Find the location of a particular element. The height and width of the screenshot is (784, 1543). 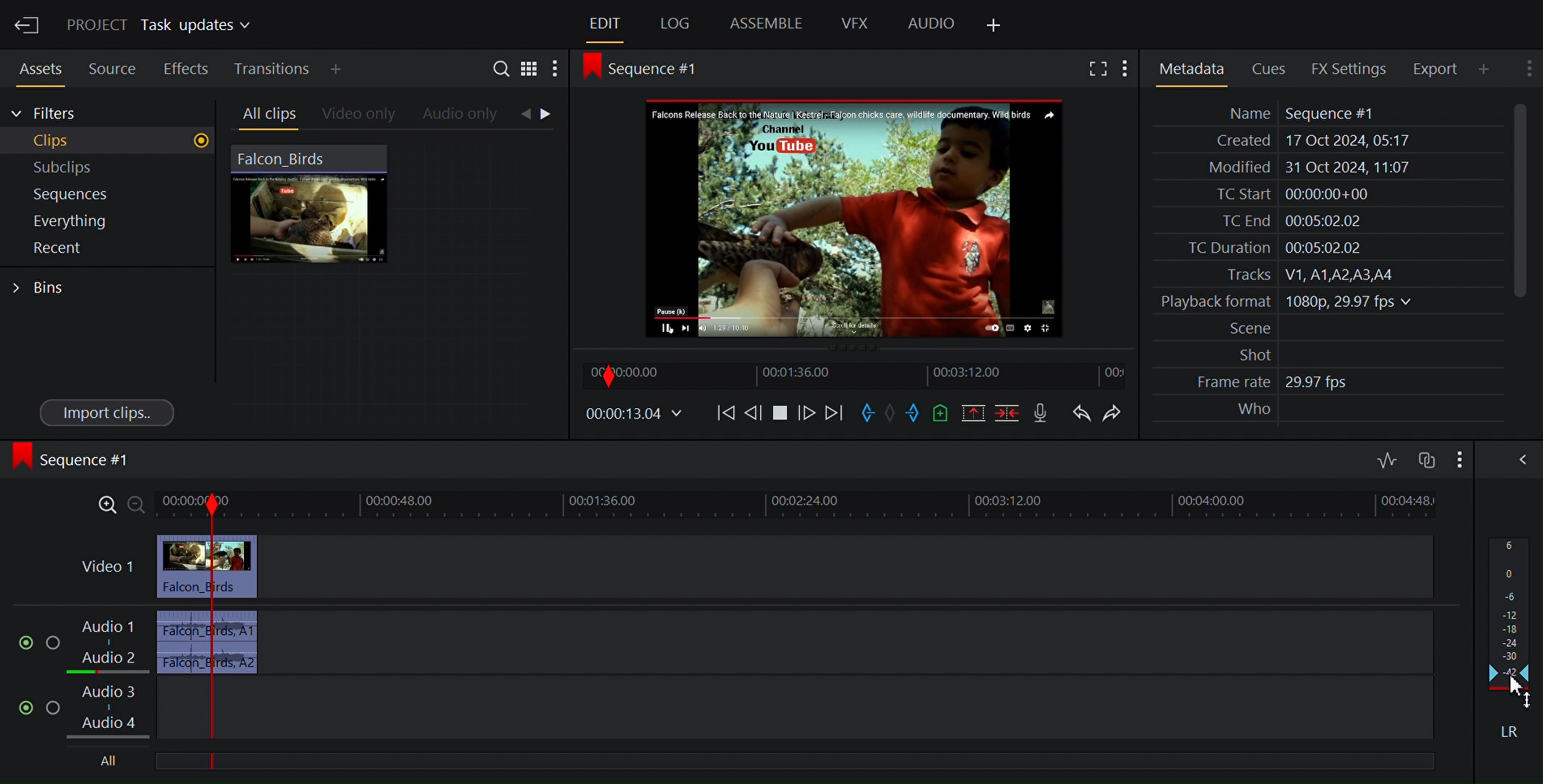

Sequences is located at coordinates (100, 194).